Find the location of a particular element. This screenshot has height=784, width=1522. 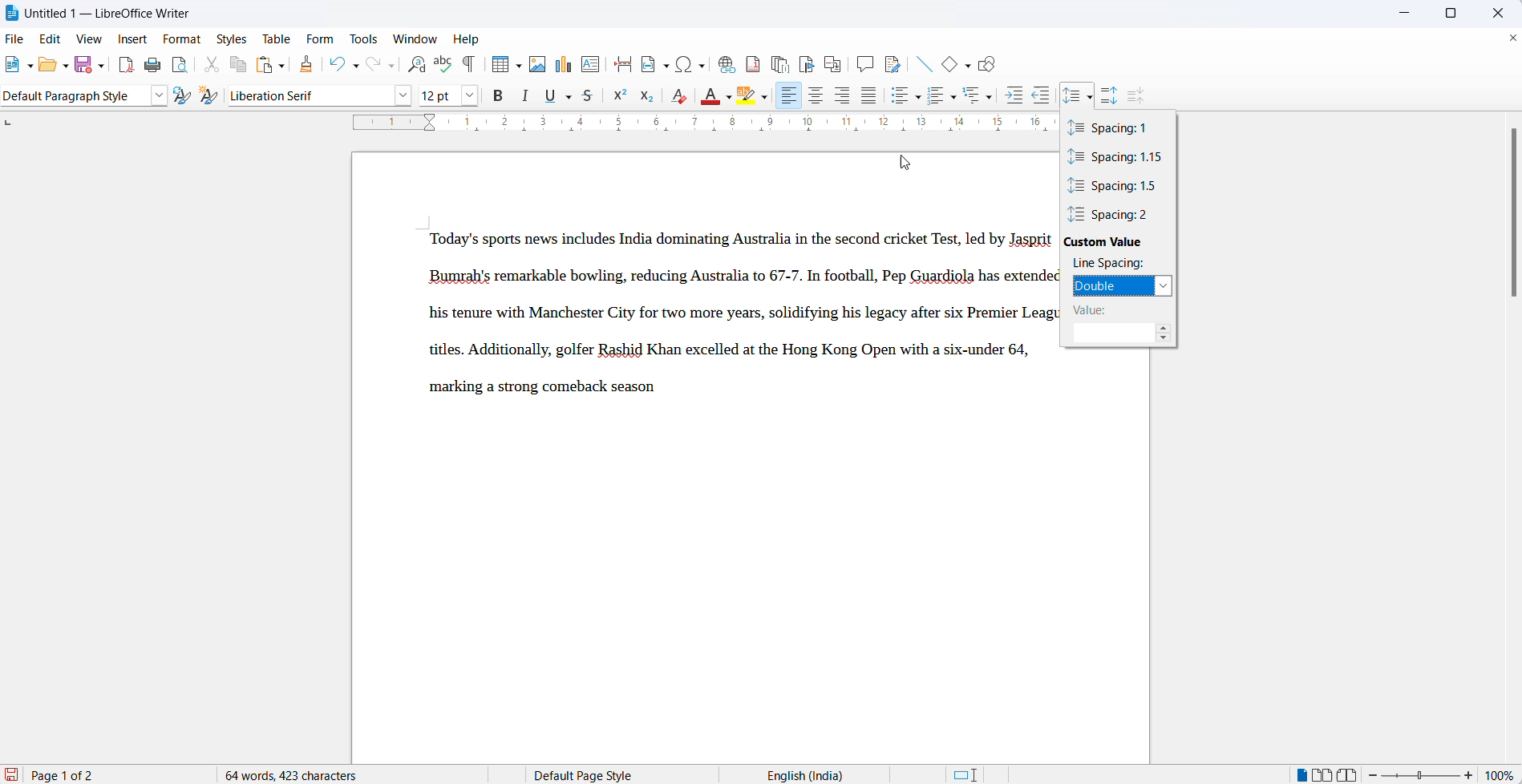

open file is located at coordinates (44, 68).